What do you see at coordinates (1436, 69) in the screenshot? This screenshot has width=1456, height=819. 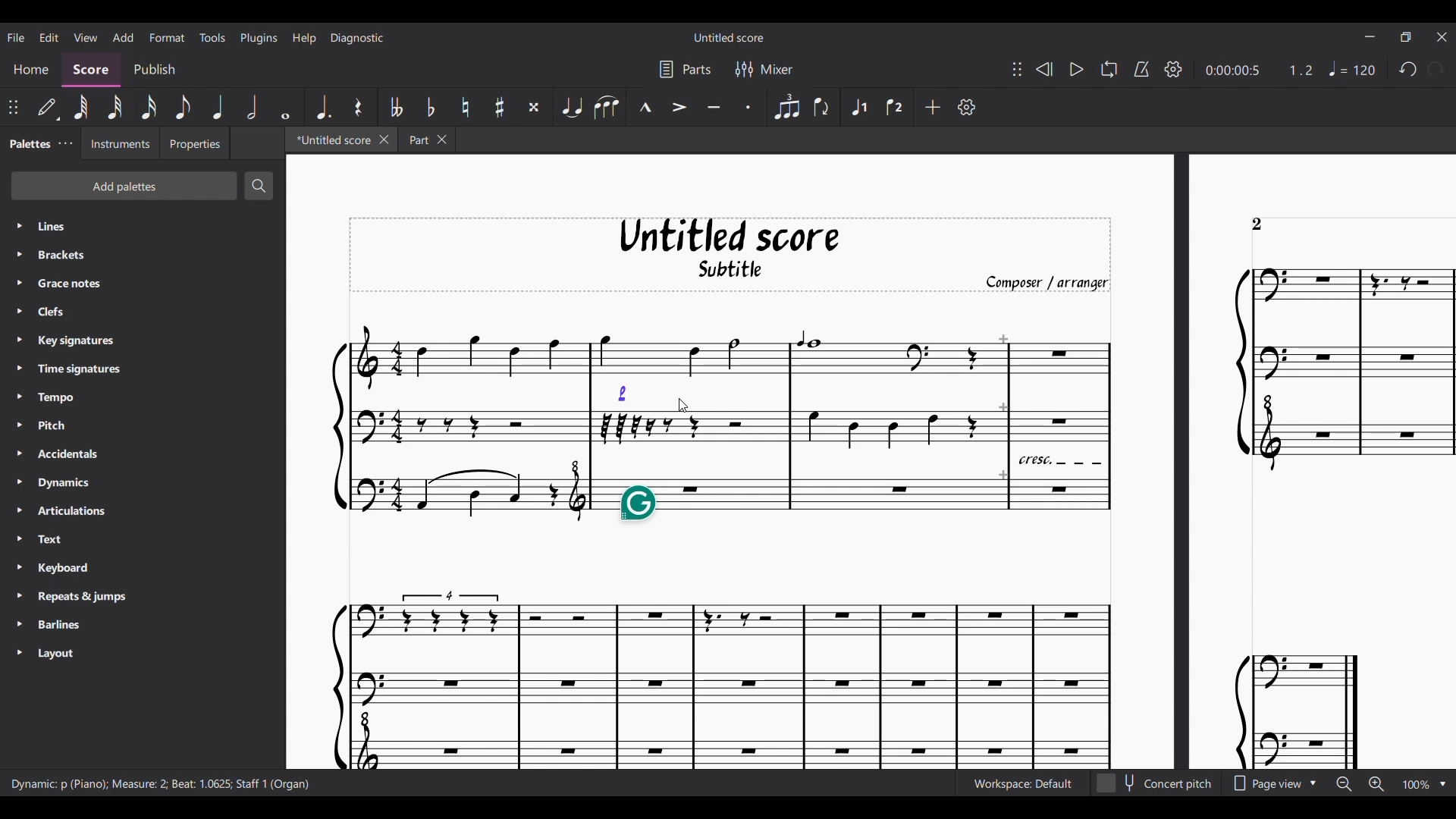 I see `Redo` at bounding box center [1436, 69].